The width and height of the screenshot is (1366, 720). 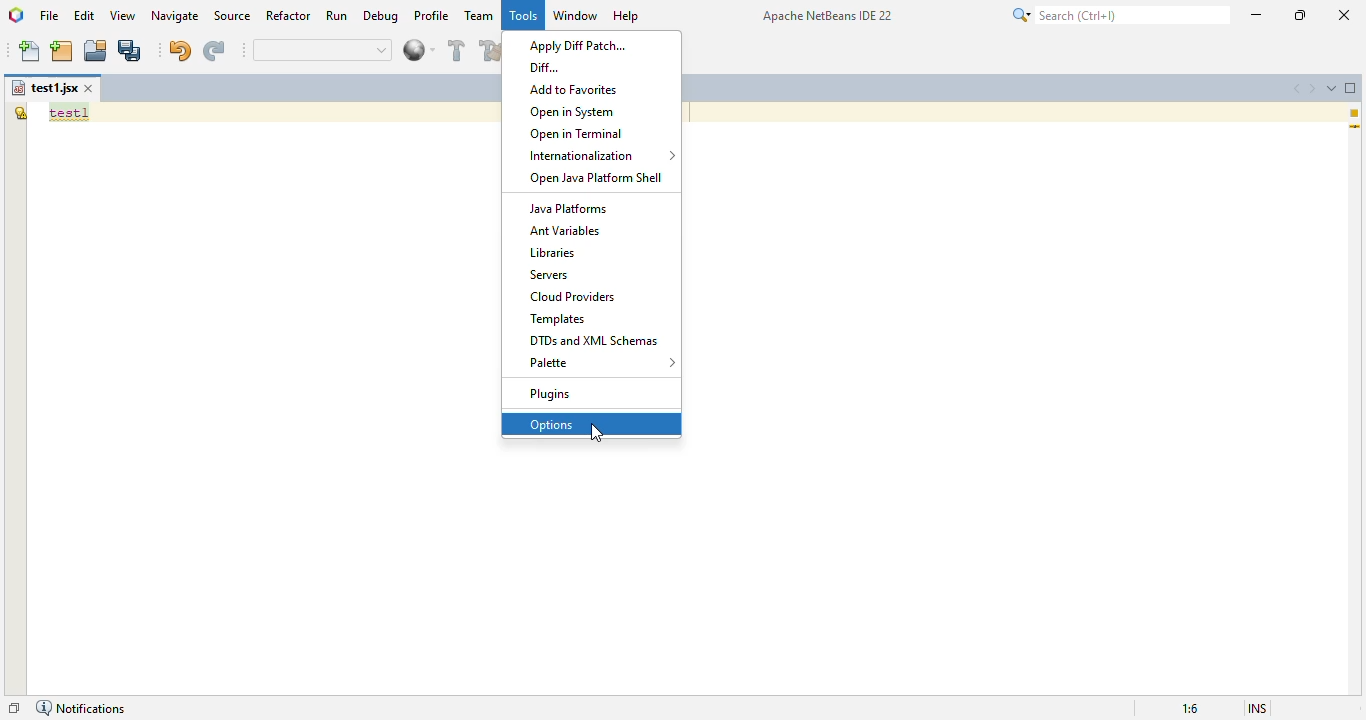 What do you see at coordinates (574, 89) in the screenshot?
I see `add to favorites` at bounding box center [574, 89].